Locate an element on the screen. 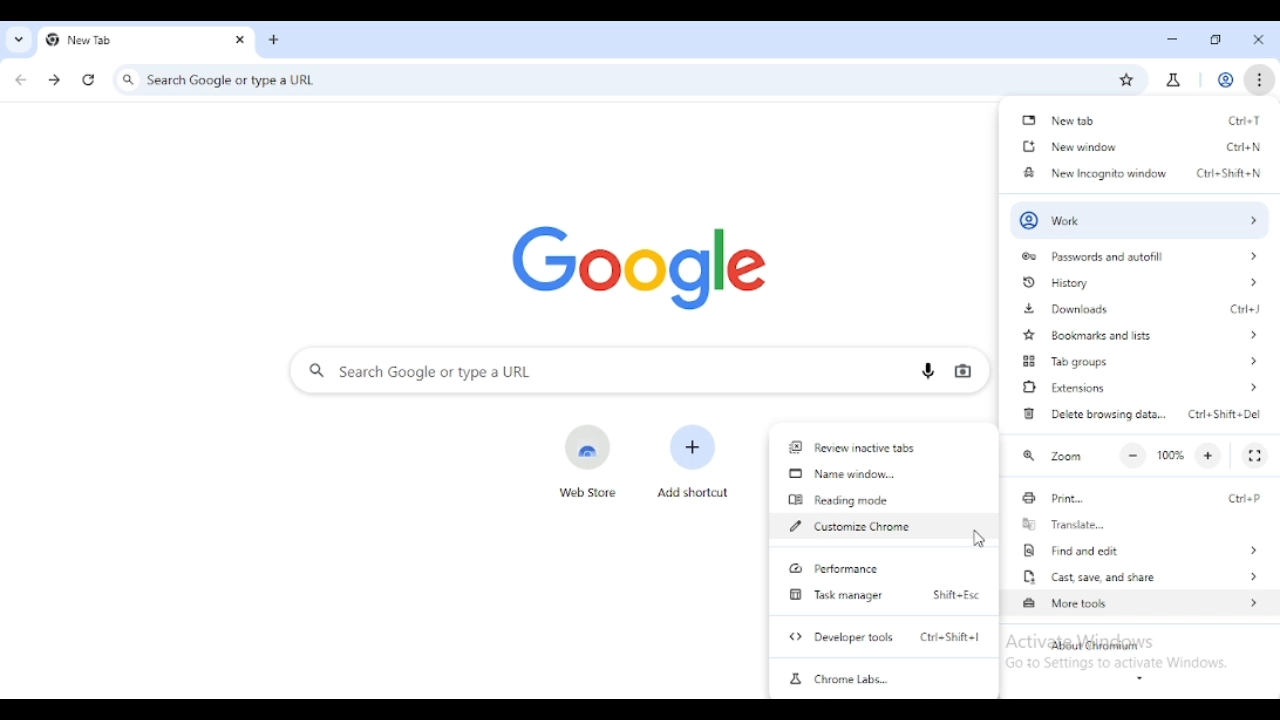  full screen is located at coordinates (1254, 456).